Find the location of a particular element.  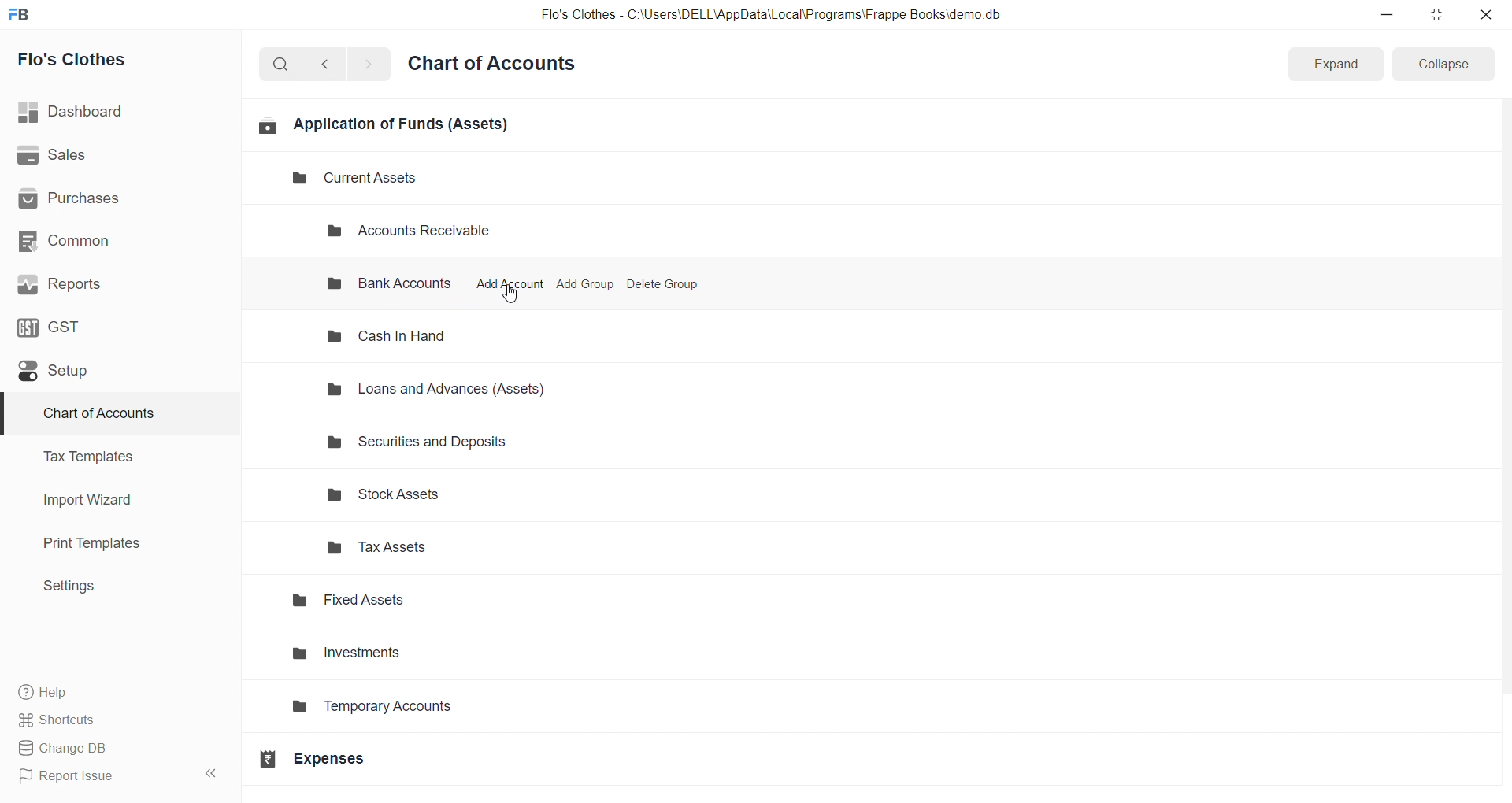

Dashboard is located at coordinates (116, 112).